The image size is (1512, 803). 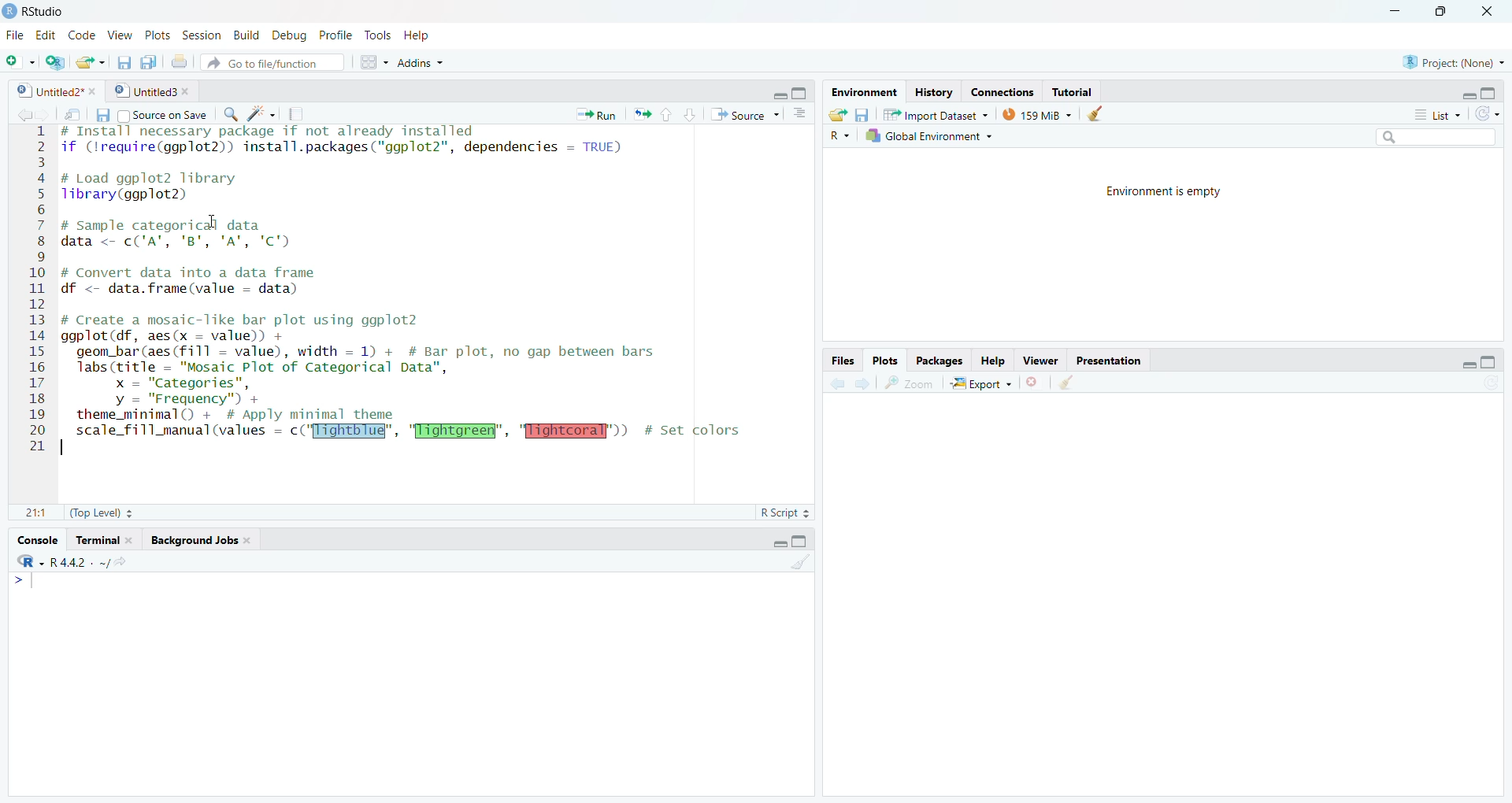 I want to click on Open in new window, so click(x=74, y=114).